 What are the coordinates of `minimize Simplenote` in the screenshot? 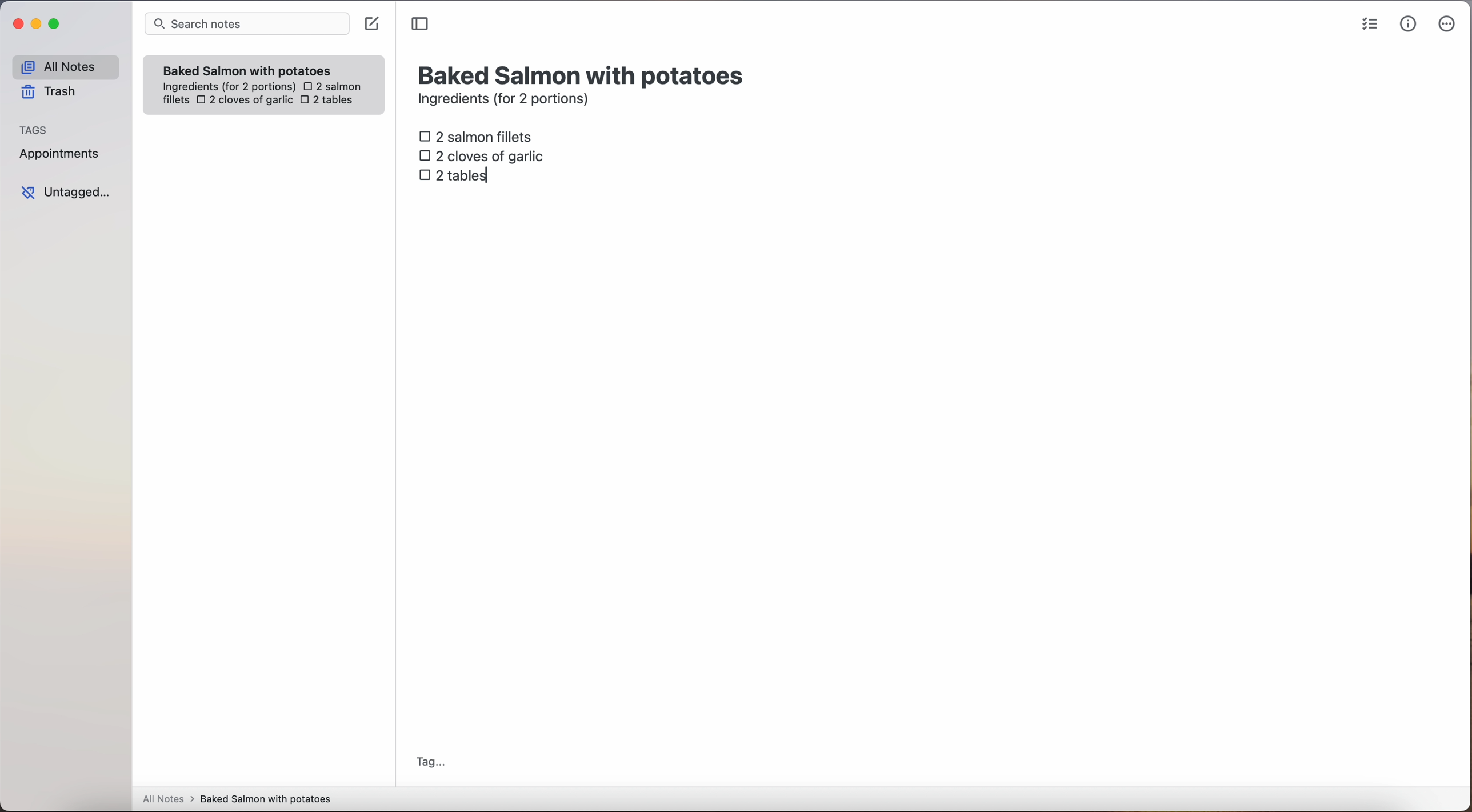 It's located at (36, 25).